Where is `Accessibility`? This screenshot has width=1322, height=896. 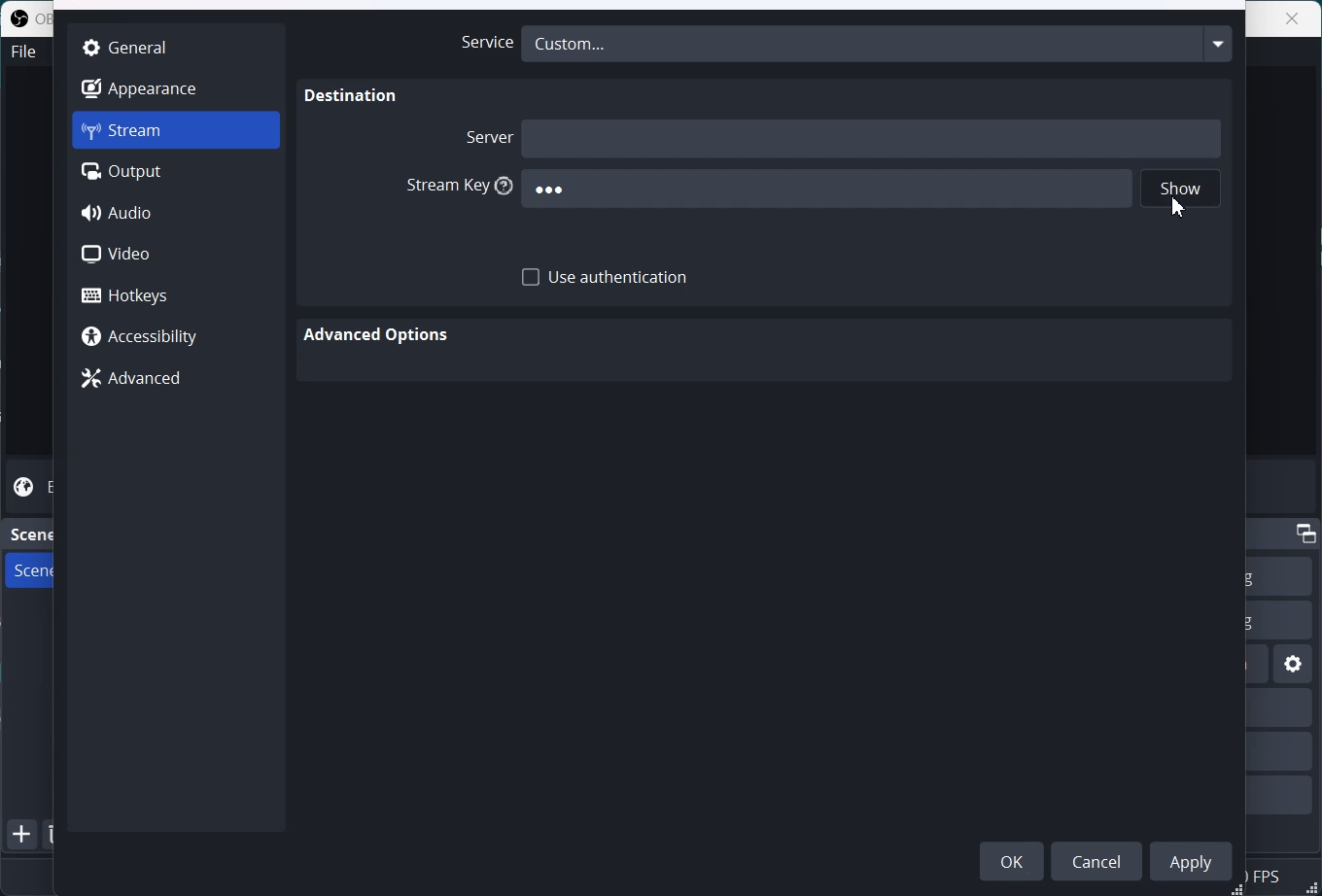
Accessibility is located at coordinates (175, 338).